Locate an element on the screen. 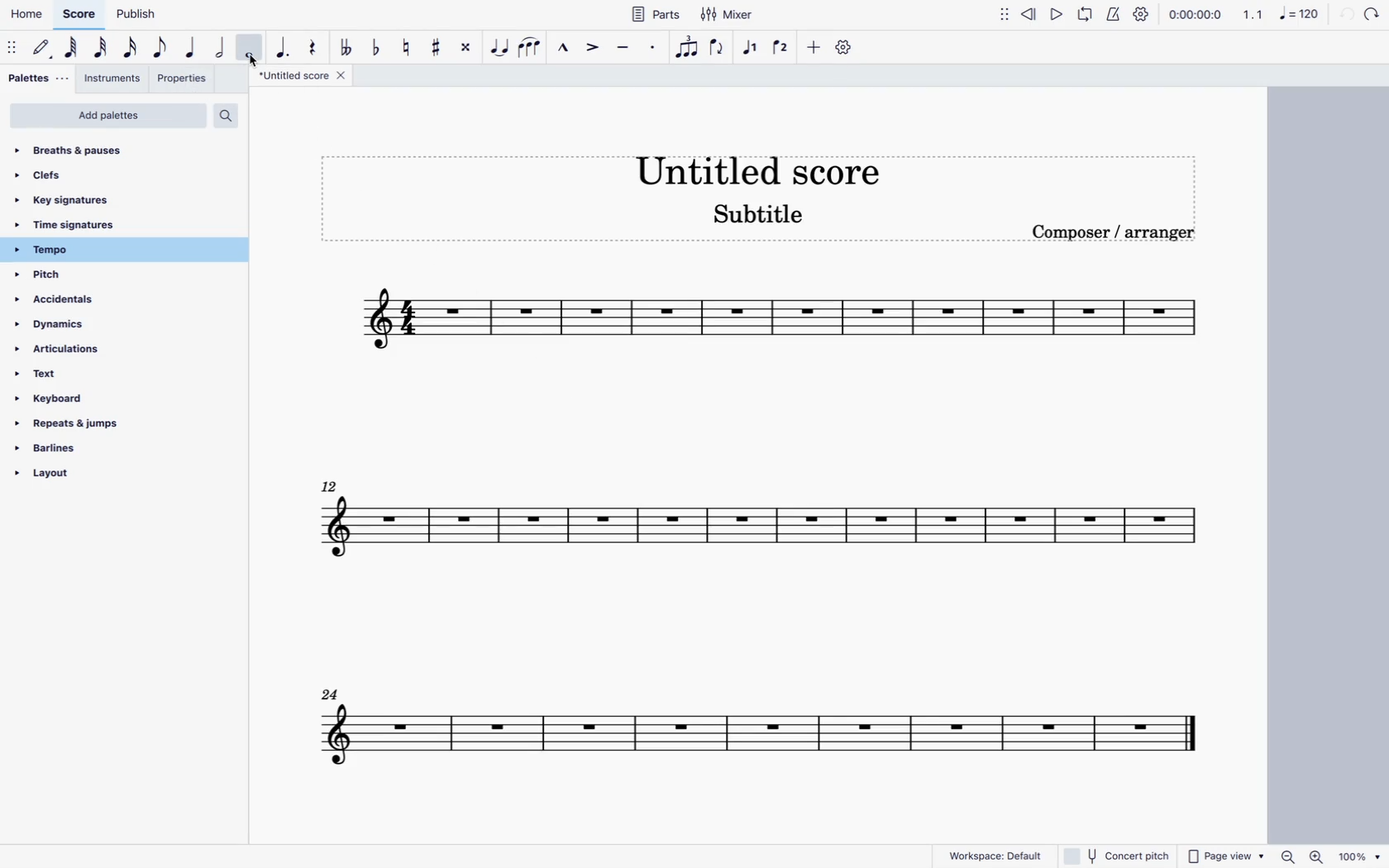 The image size is (1389, 868). 64th note is located at coordinates (66, 46).